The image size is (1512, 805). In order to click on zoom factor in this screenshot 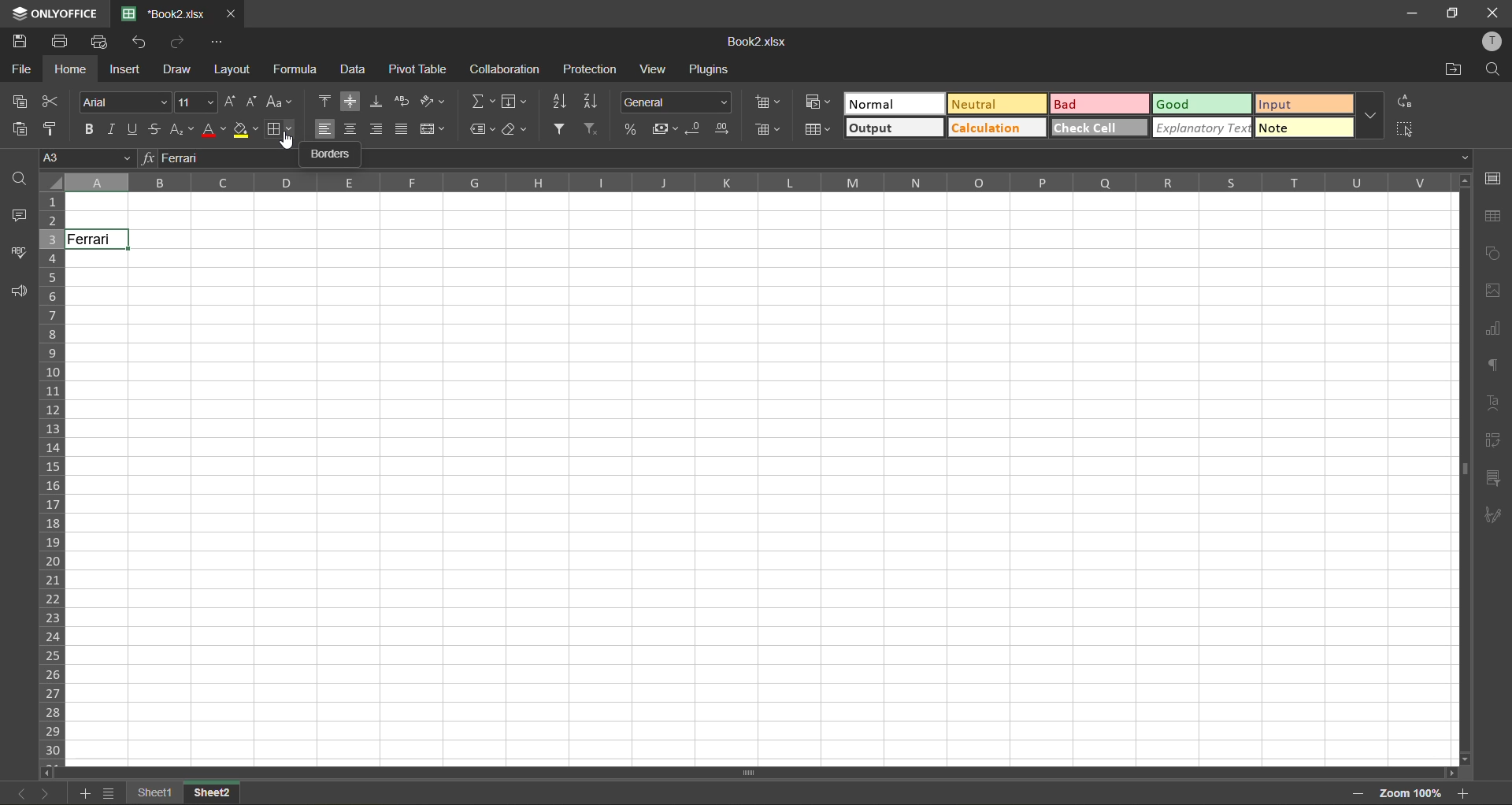, I will do `click(1409, 796)`.